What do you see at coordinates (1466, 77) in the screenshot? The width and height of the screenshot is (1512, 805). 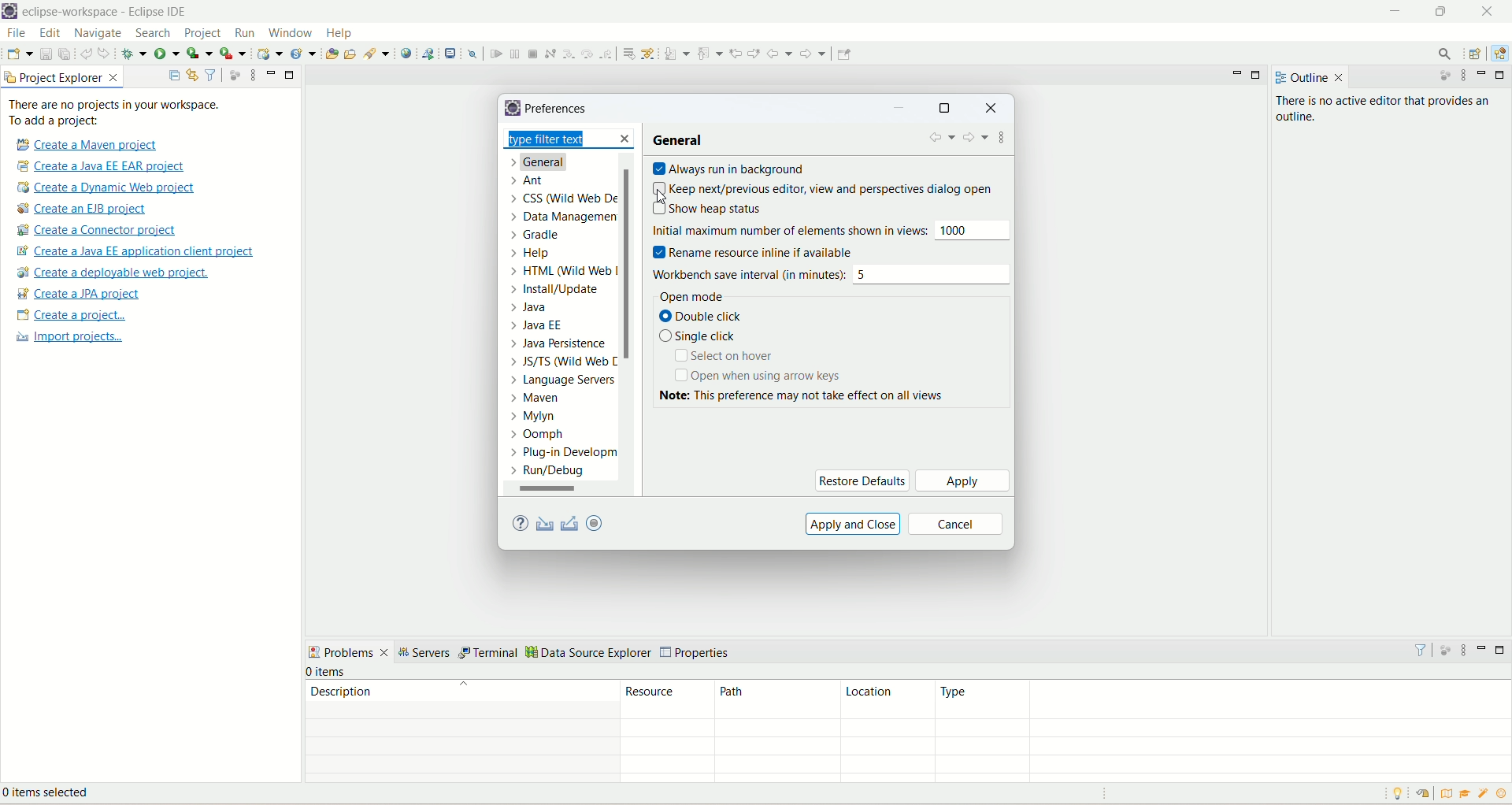 I see `view menu` at bounding box center [1466, 77].